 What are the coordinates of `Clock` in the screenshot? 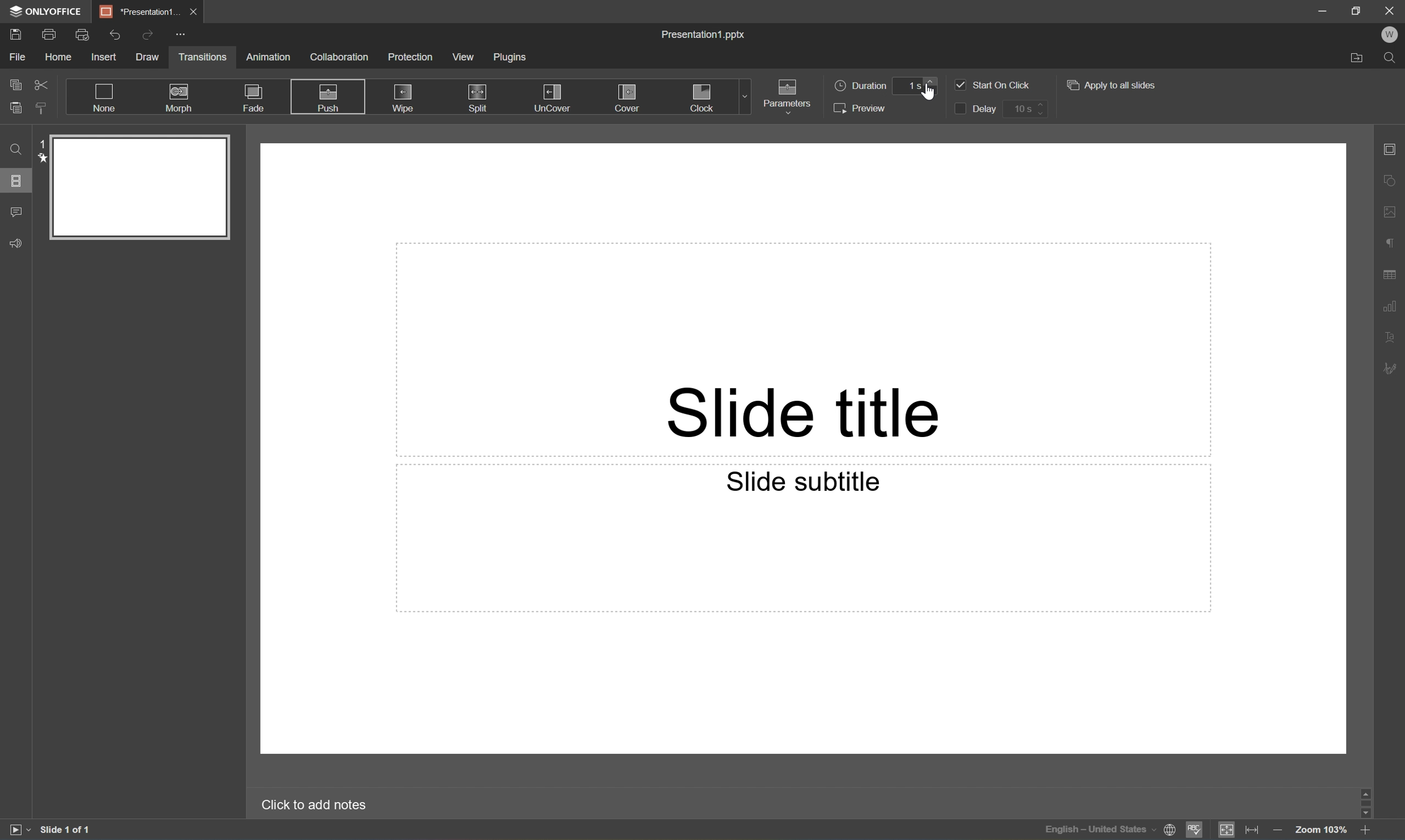 It's located at (703, 97).